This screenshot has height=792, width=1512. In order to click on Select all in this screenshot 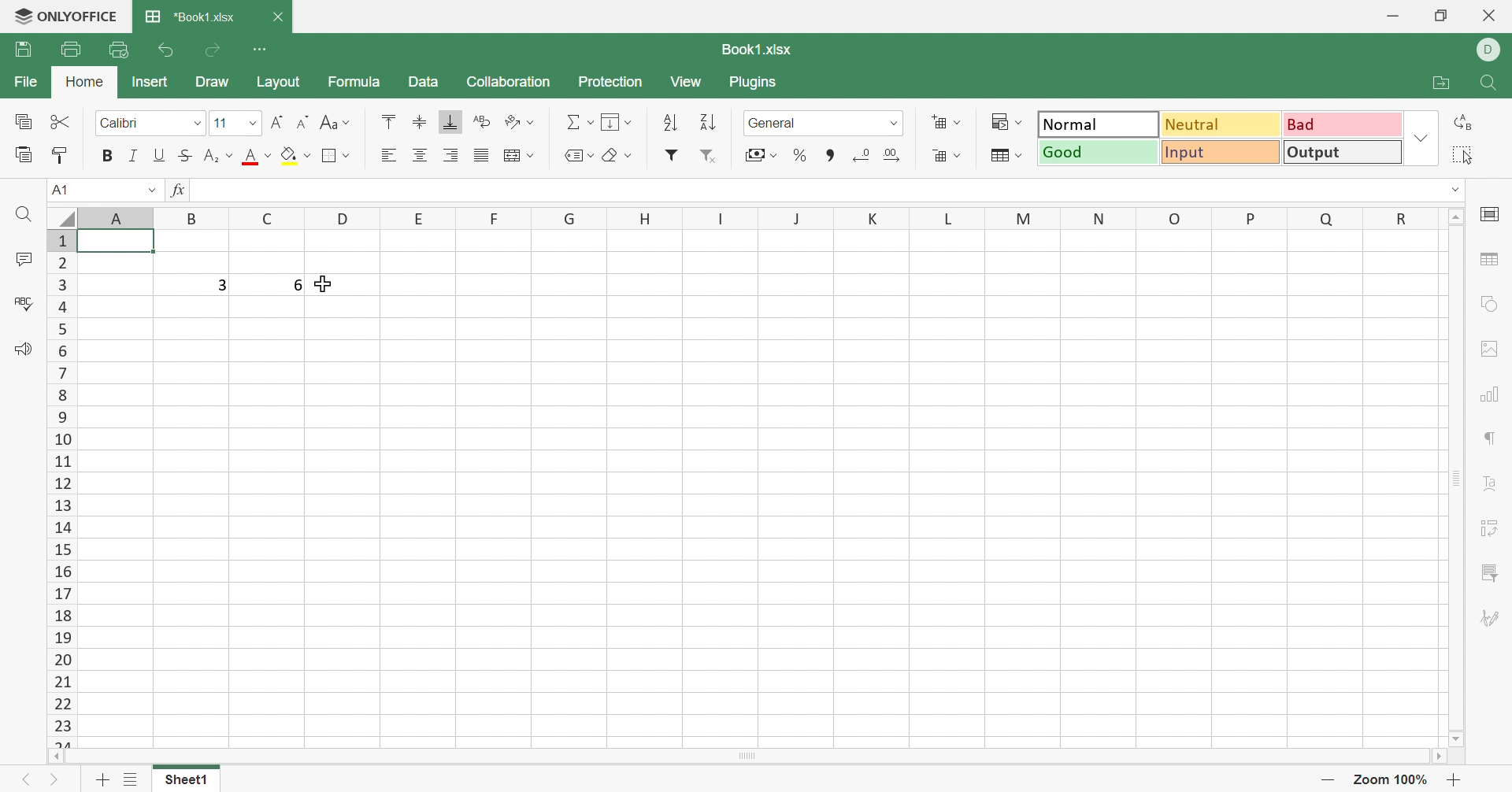, I will do `click(1463, 154)`.